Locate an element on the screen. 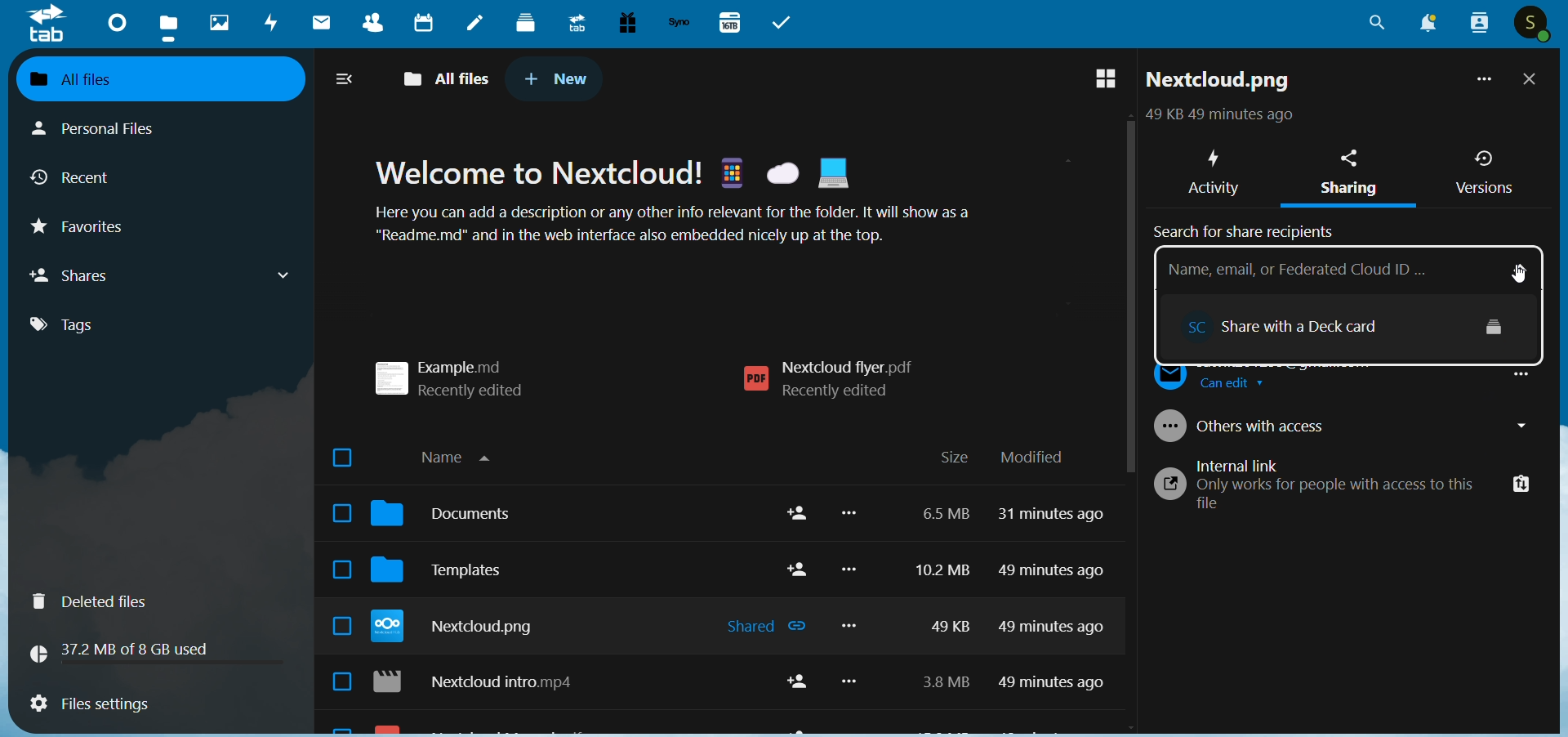 Image resolution: width=1568 pixels, height=737 pixels. view is located at coordinates (1097, 80).